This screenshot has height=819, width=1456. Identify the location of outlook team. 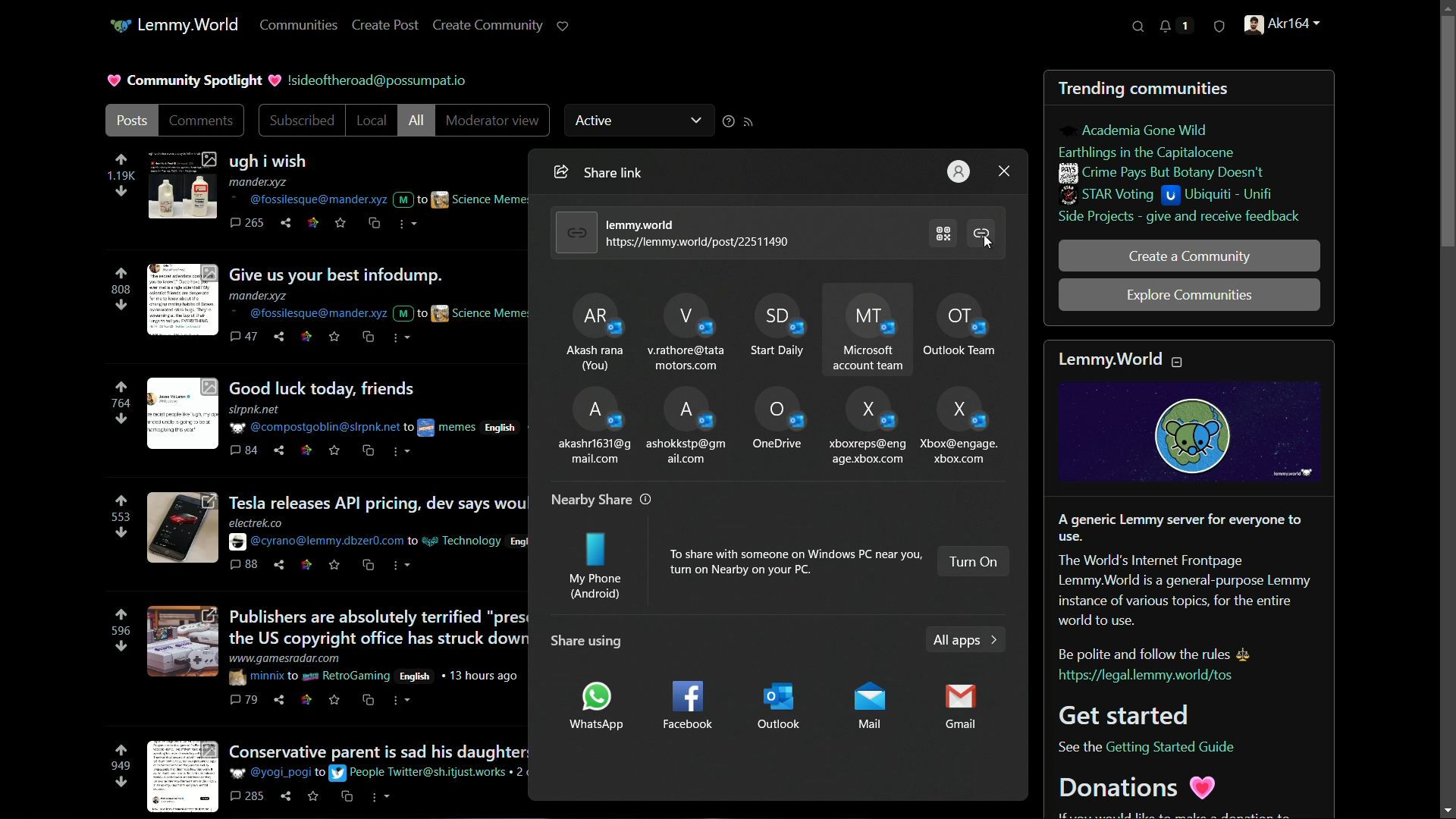
(968, 326).